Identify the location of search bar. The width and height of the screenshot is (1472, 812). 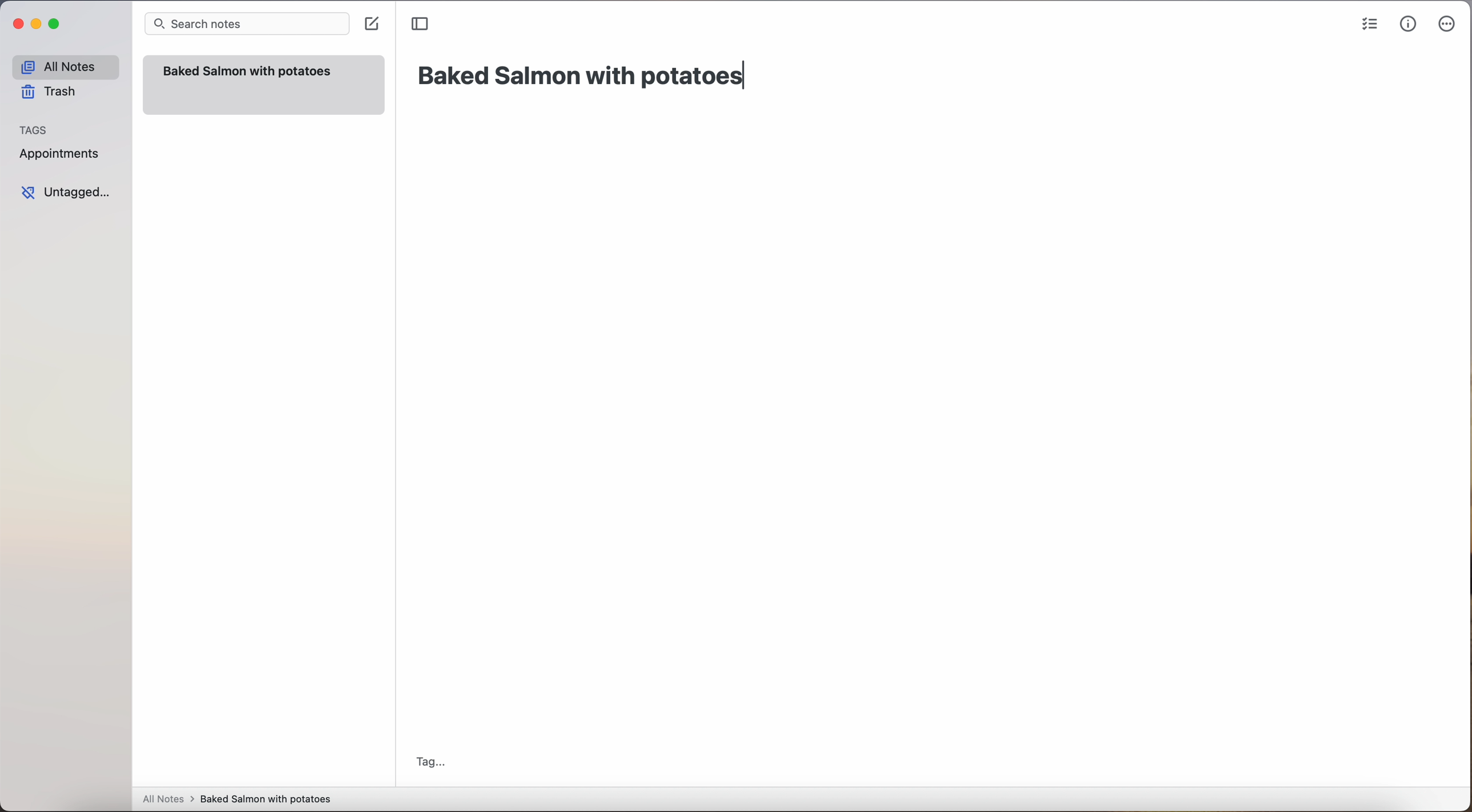
(246, 25).